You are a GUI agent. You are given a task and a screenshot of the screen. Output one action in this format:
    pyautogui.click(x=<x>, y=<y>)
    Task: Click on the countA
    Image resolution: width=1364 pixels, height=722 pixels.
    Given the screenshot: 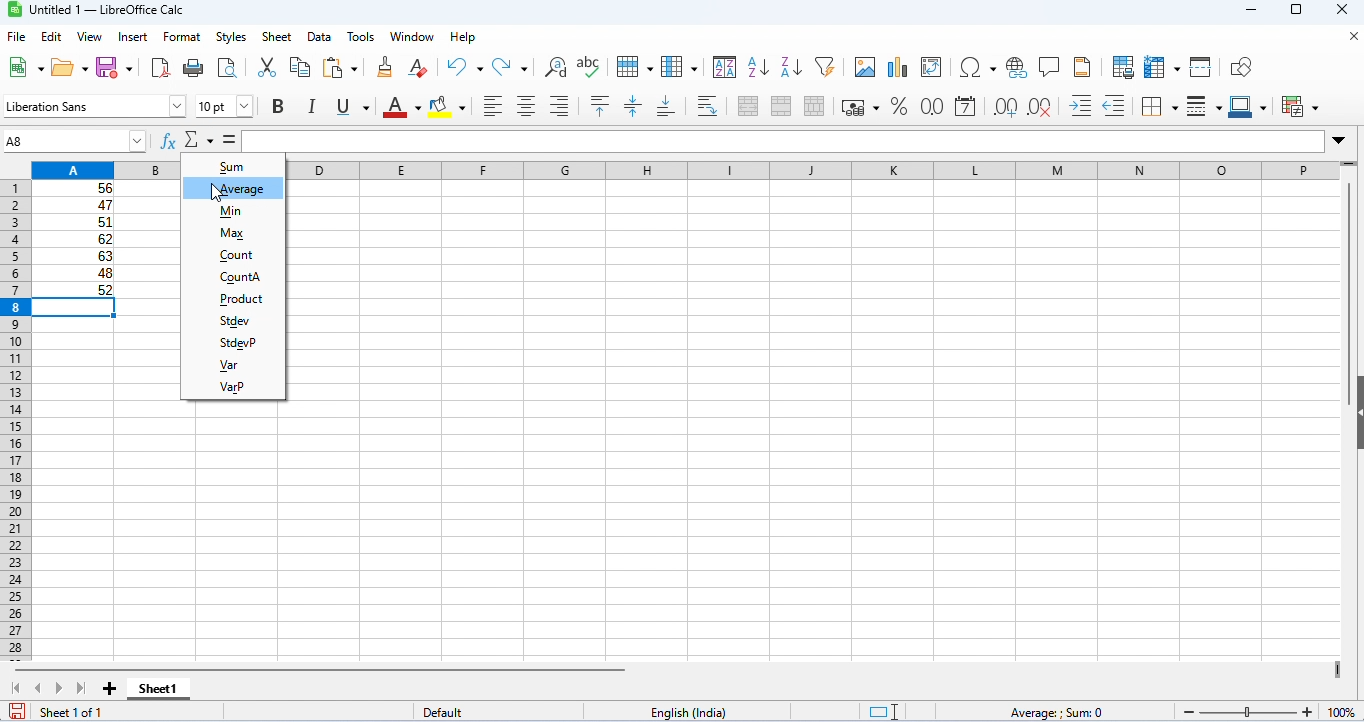 What is the action you would take?
    pyautogui.click(x=233, y=277)
    